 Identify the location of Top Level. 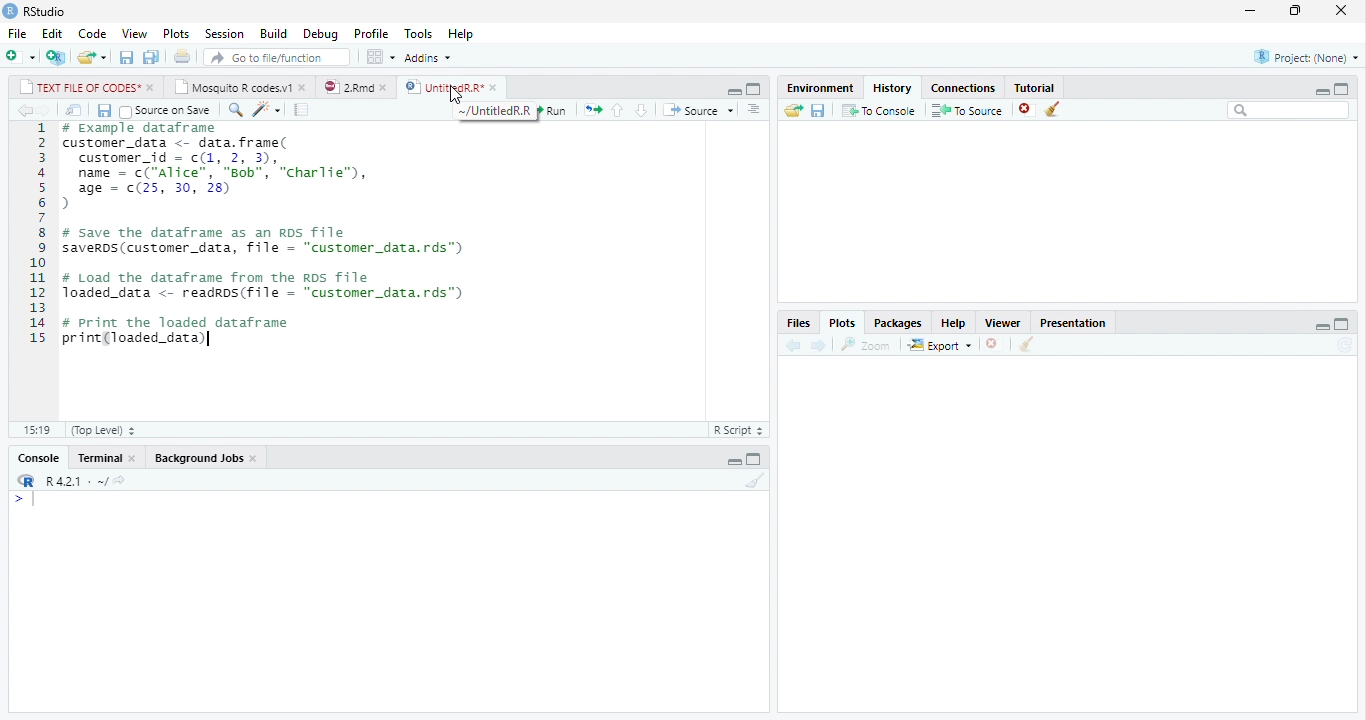
(104, 430).